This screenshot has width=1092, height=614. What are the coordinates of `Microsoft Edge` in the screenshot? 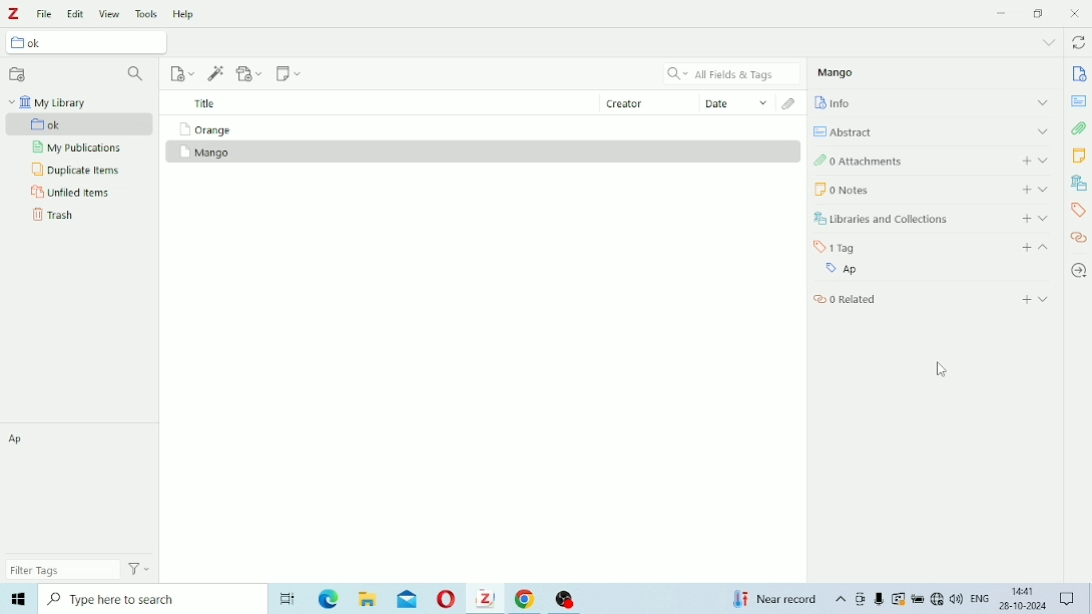 It's located at (328, 600).